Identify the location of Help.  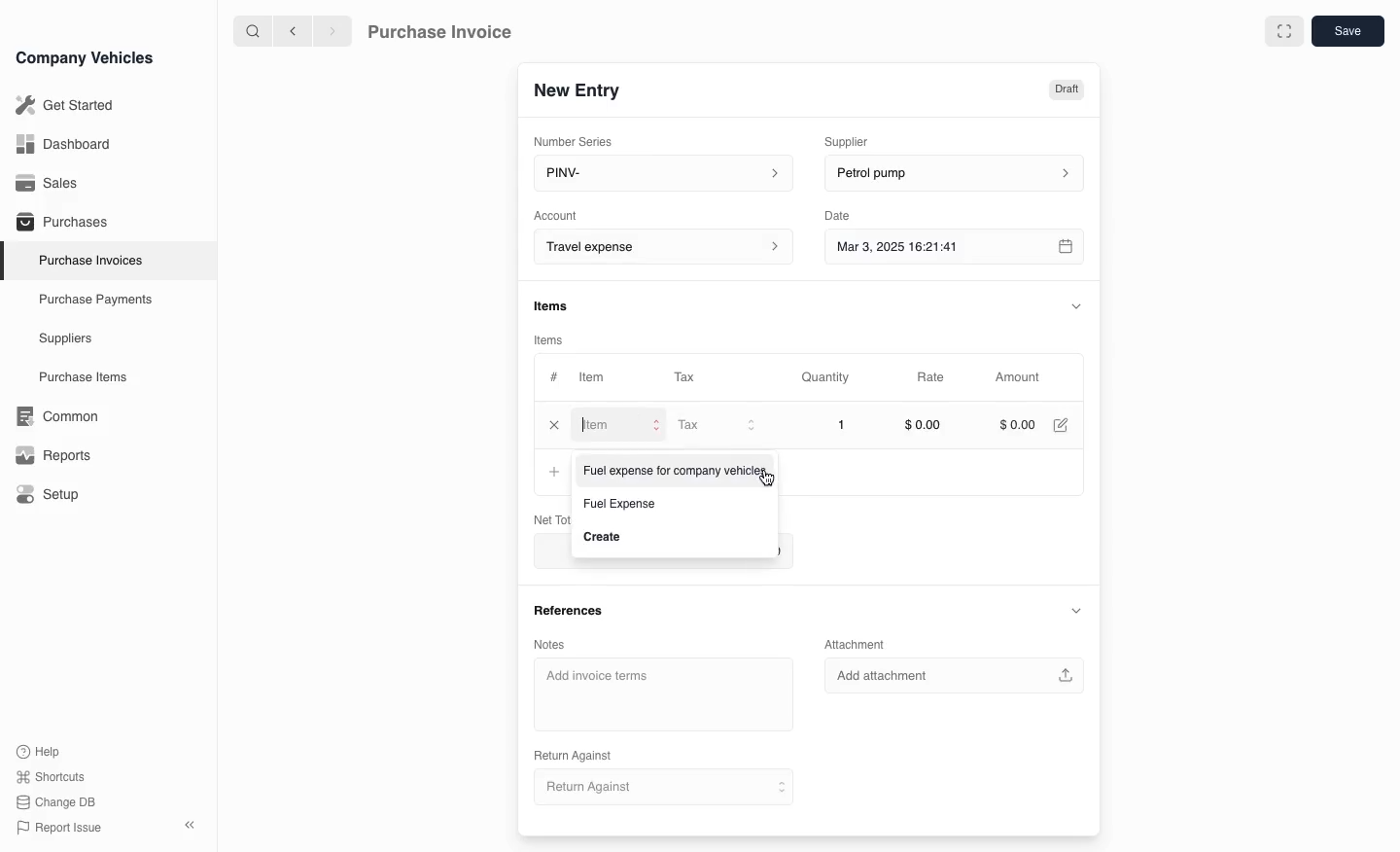
(43, 751).